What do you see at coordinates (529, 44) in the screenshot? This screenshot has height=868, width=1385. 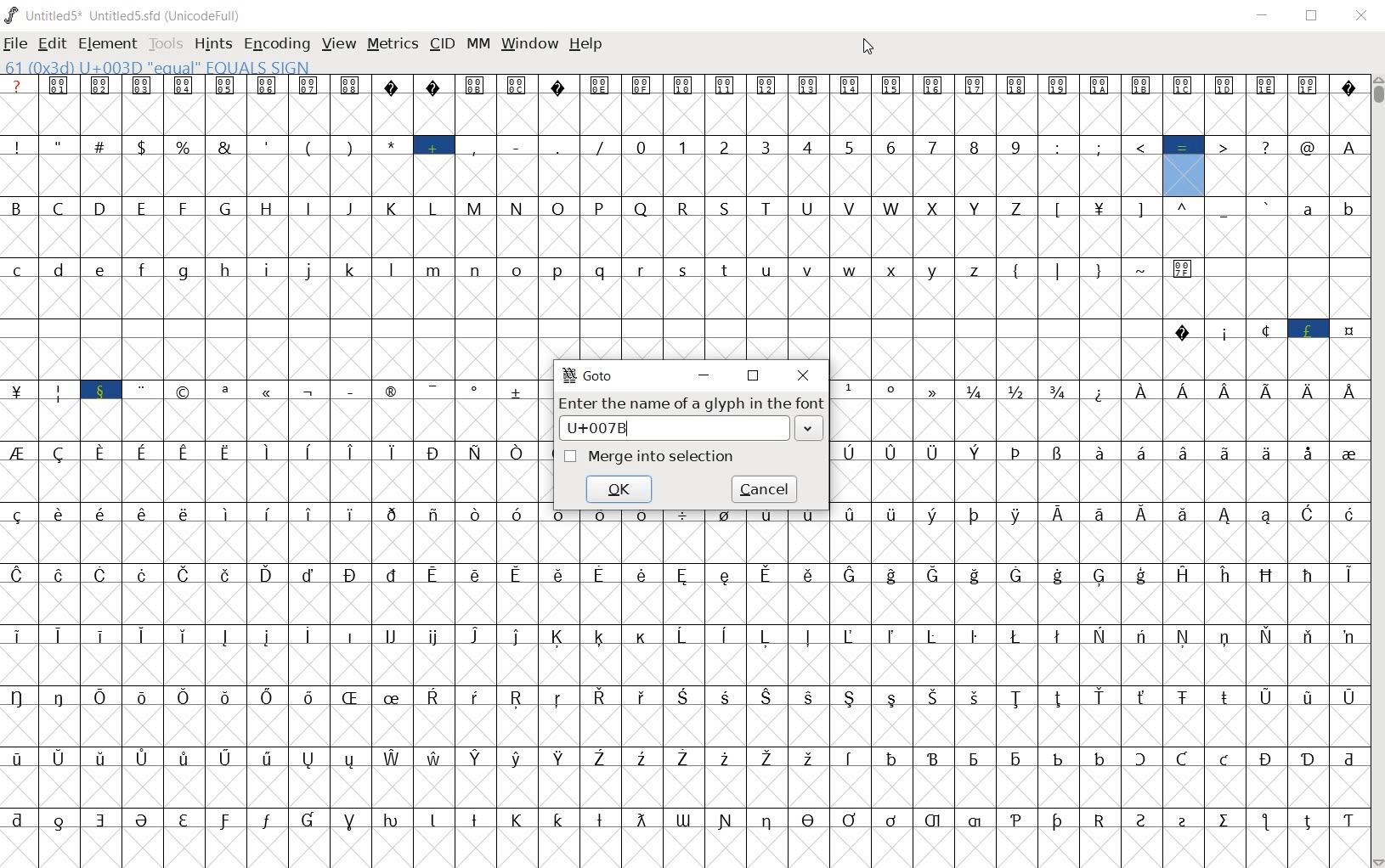 I see `window` at bounding box center [529, 44].